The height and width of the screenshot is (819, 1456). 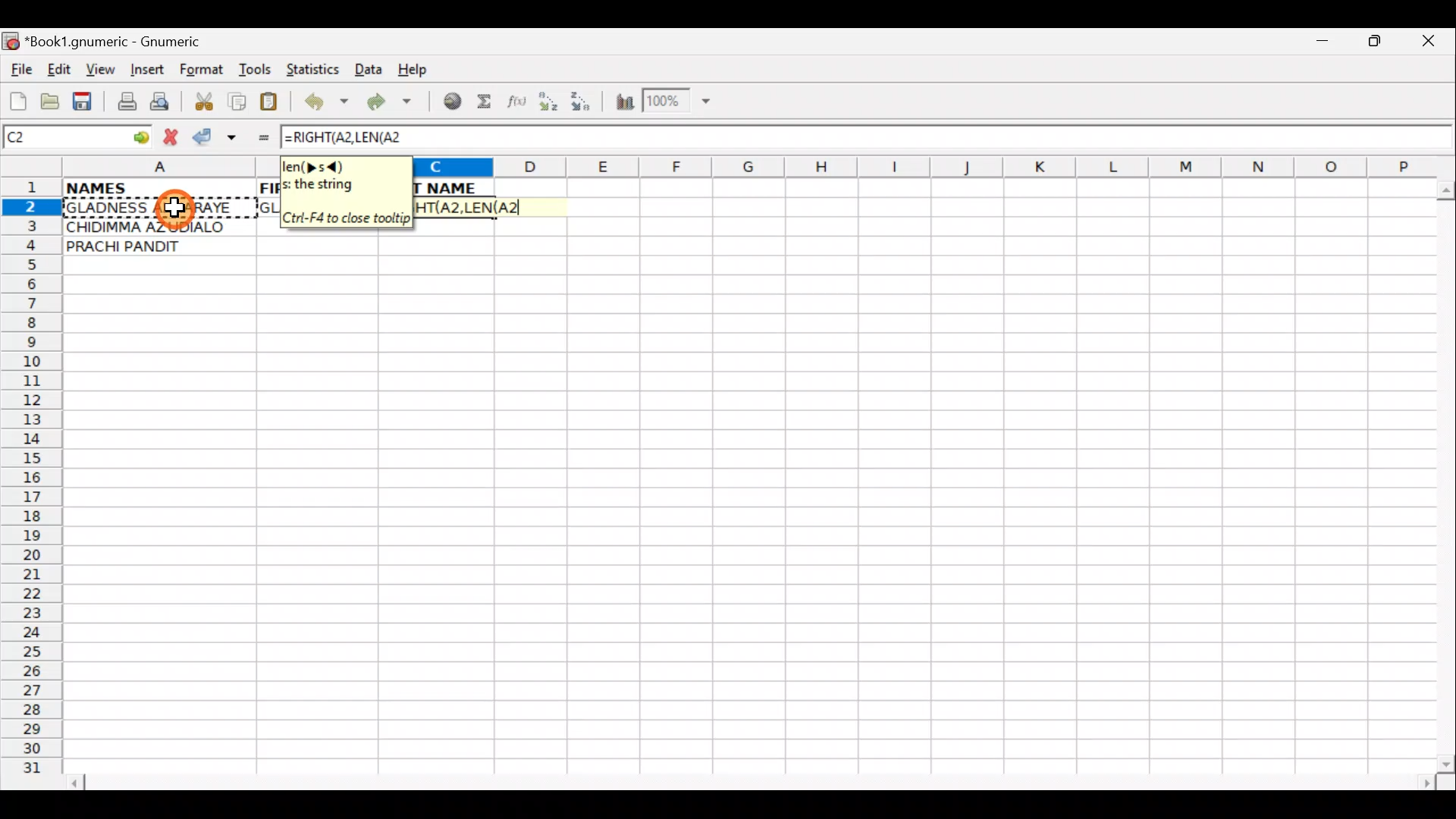 What do you see at coordinates (123, 103) in the screenshot?
I see `Print file` at bounding box center [123, 103].